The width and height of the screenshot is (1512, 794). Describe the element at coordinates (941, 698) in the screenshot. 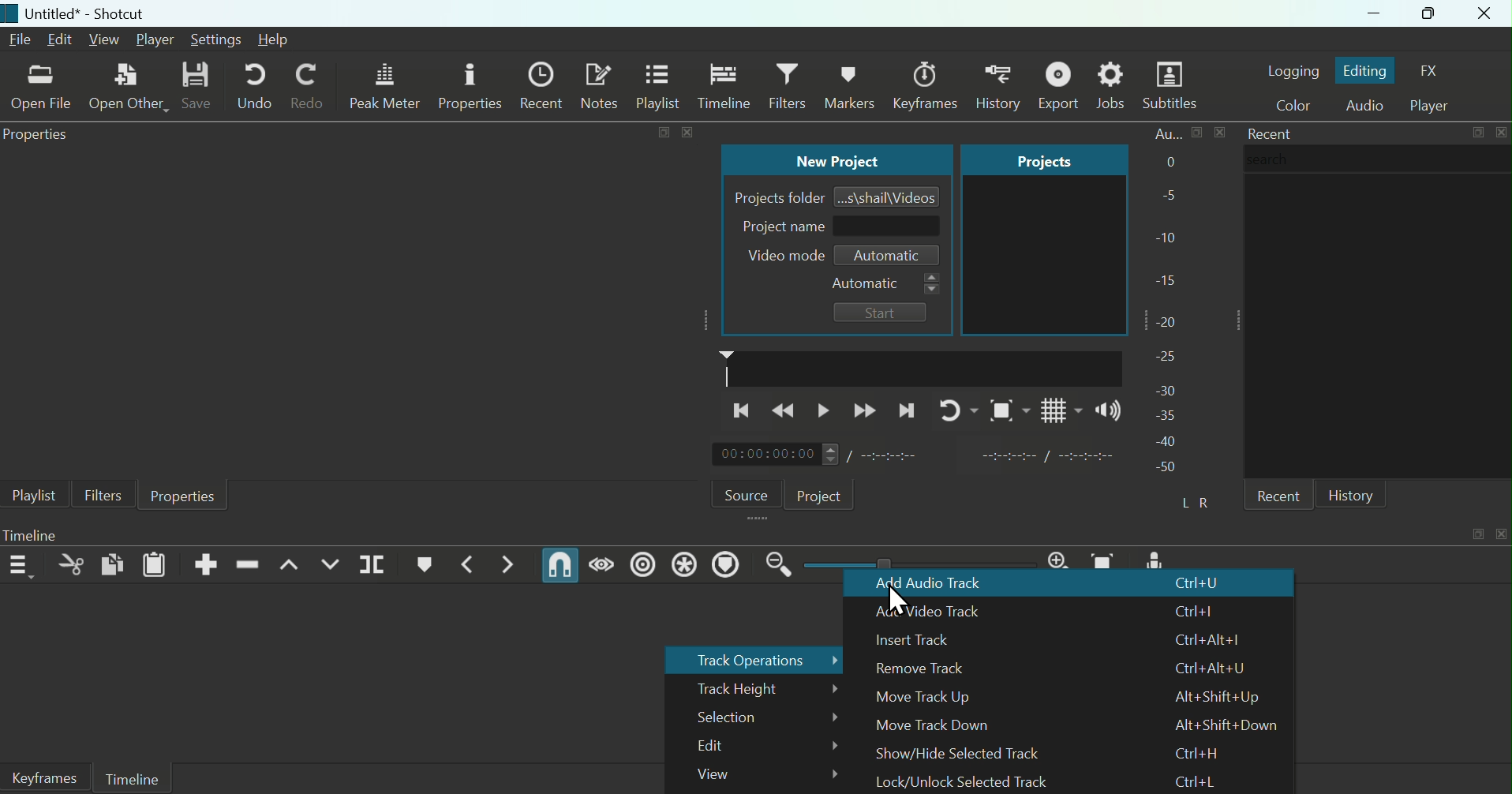

I see `Move Track Up` at that location.